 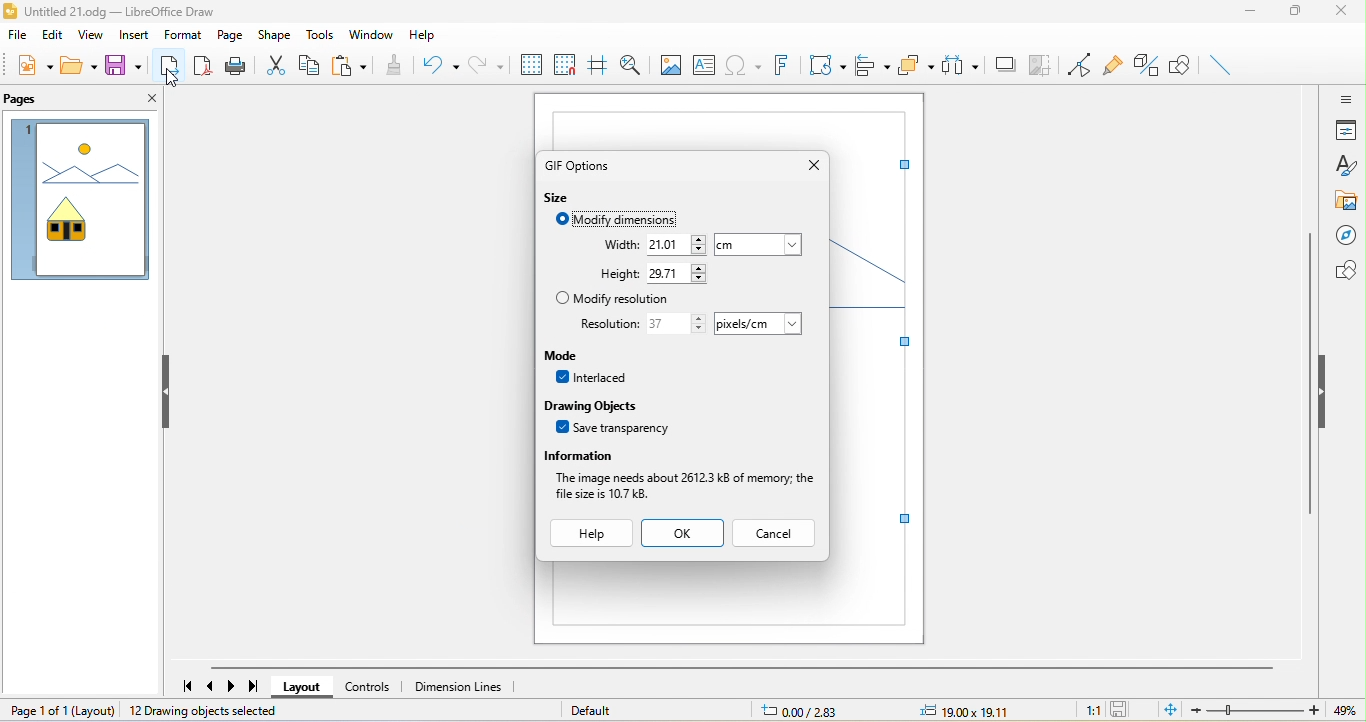 I want to click on display grid, so click(x=529, y=65).